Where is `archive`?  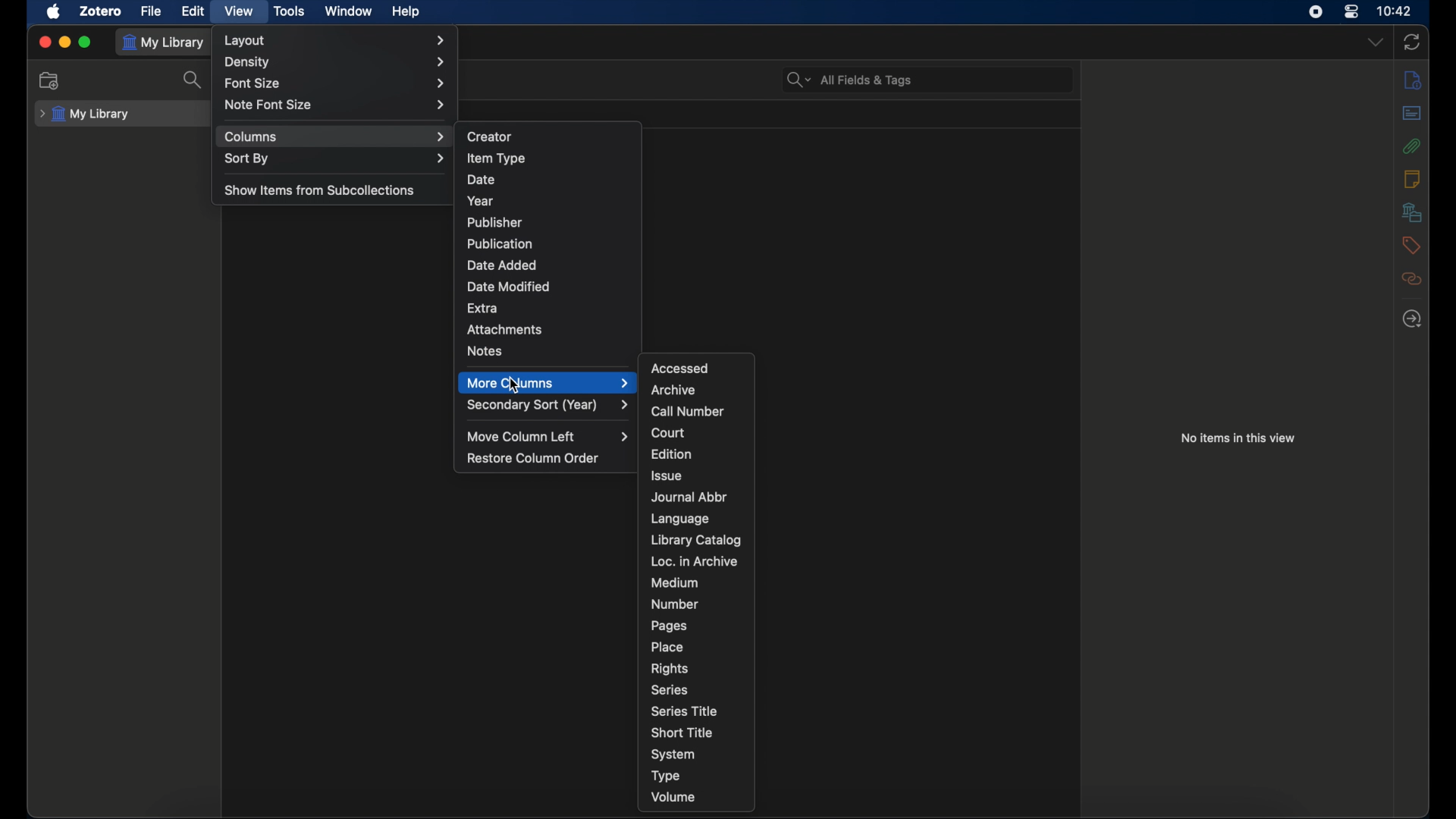 archive is located at coordinates (673, 389).